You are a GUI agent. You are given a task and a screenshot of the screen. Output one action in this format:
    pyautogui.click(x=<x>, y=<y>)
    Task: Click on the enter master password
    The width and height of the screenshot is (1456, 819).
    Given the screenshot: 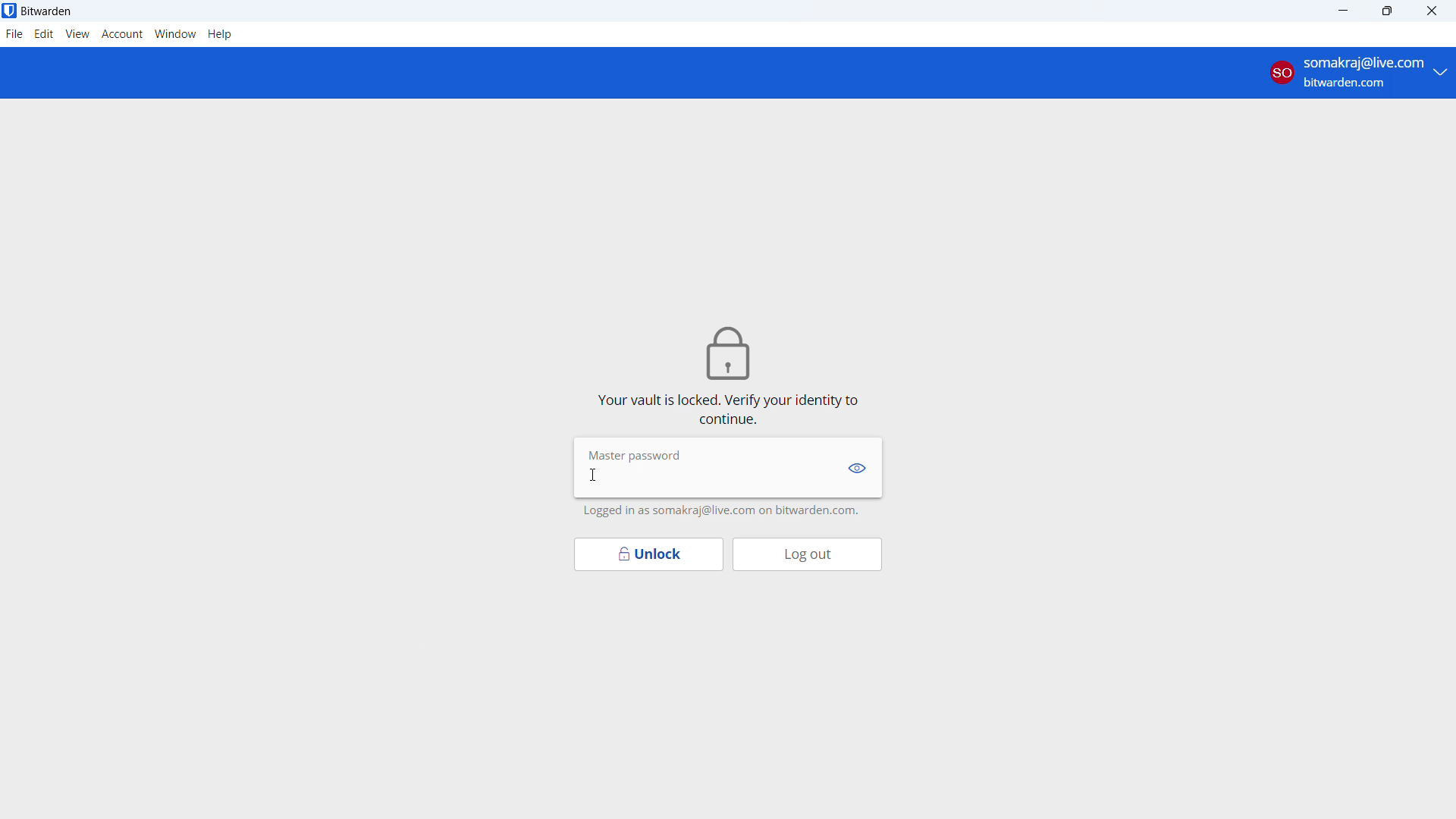 What is the action you would take?
    pyautogui.click(x=709, y=478)
    